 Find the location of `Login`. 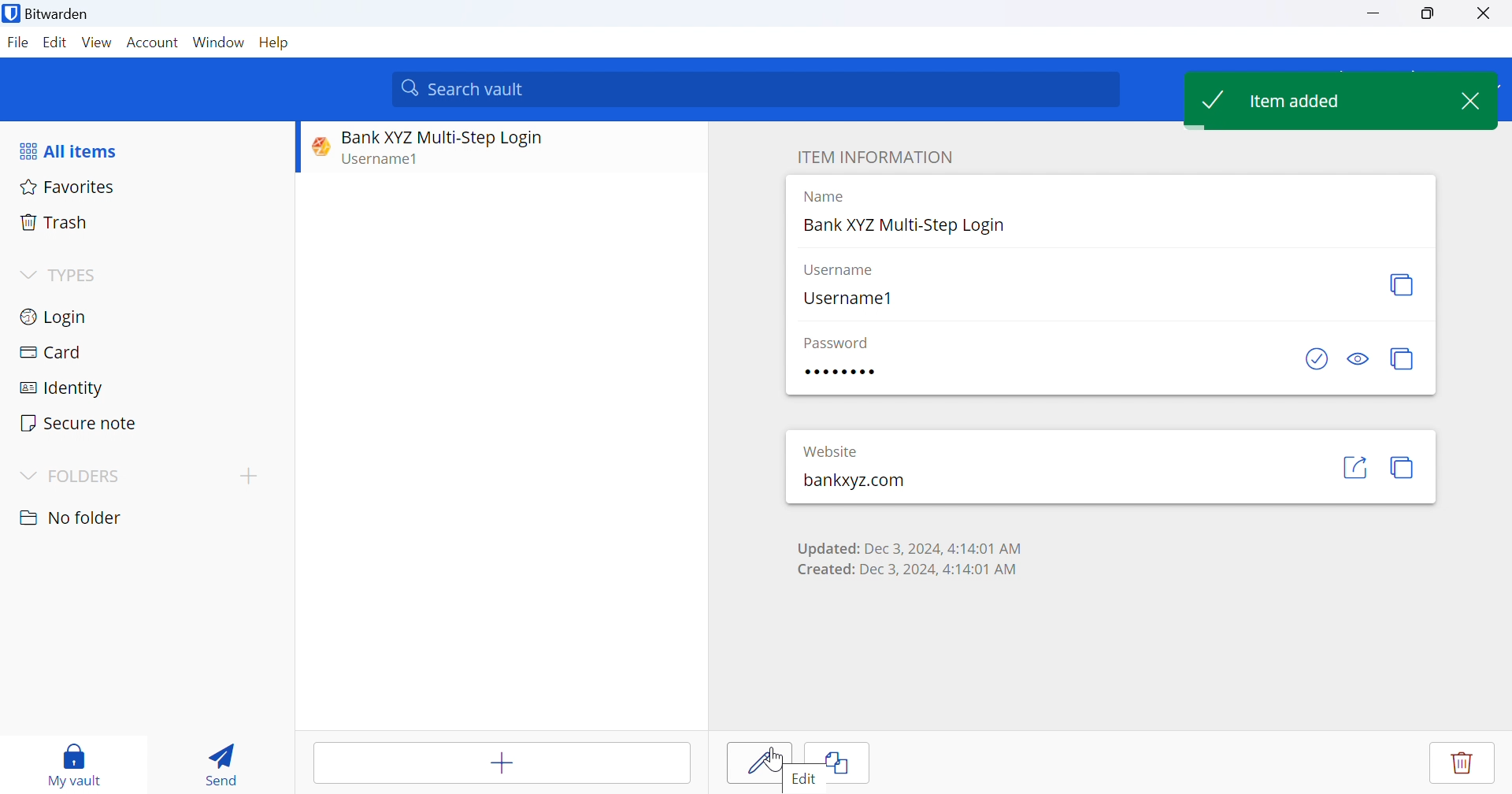

Login is located at coordinates (56, 315).